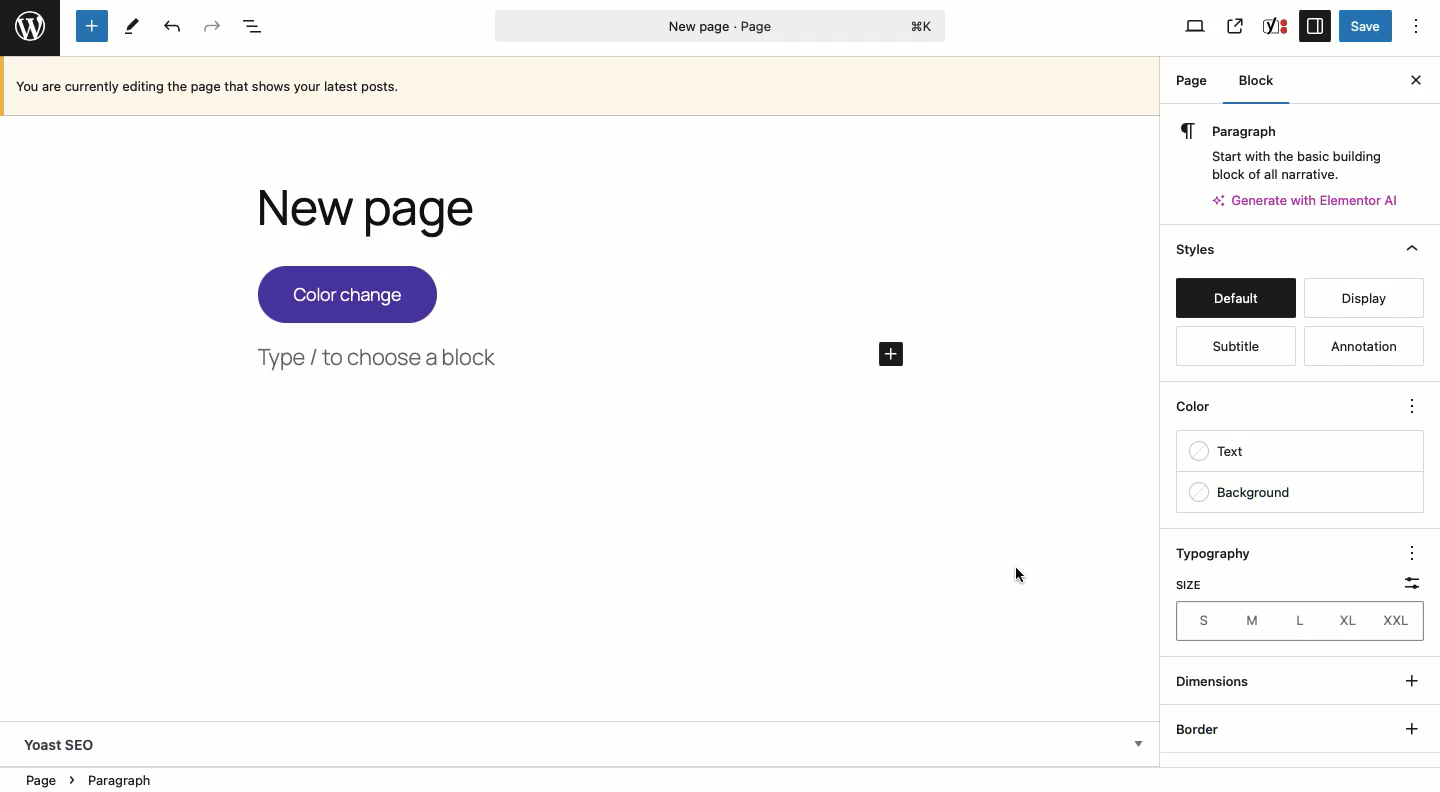  What do you see at coordinates (1415, 681) in the screenshot?
I see `expand` at bounding box center [1415, 681].